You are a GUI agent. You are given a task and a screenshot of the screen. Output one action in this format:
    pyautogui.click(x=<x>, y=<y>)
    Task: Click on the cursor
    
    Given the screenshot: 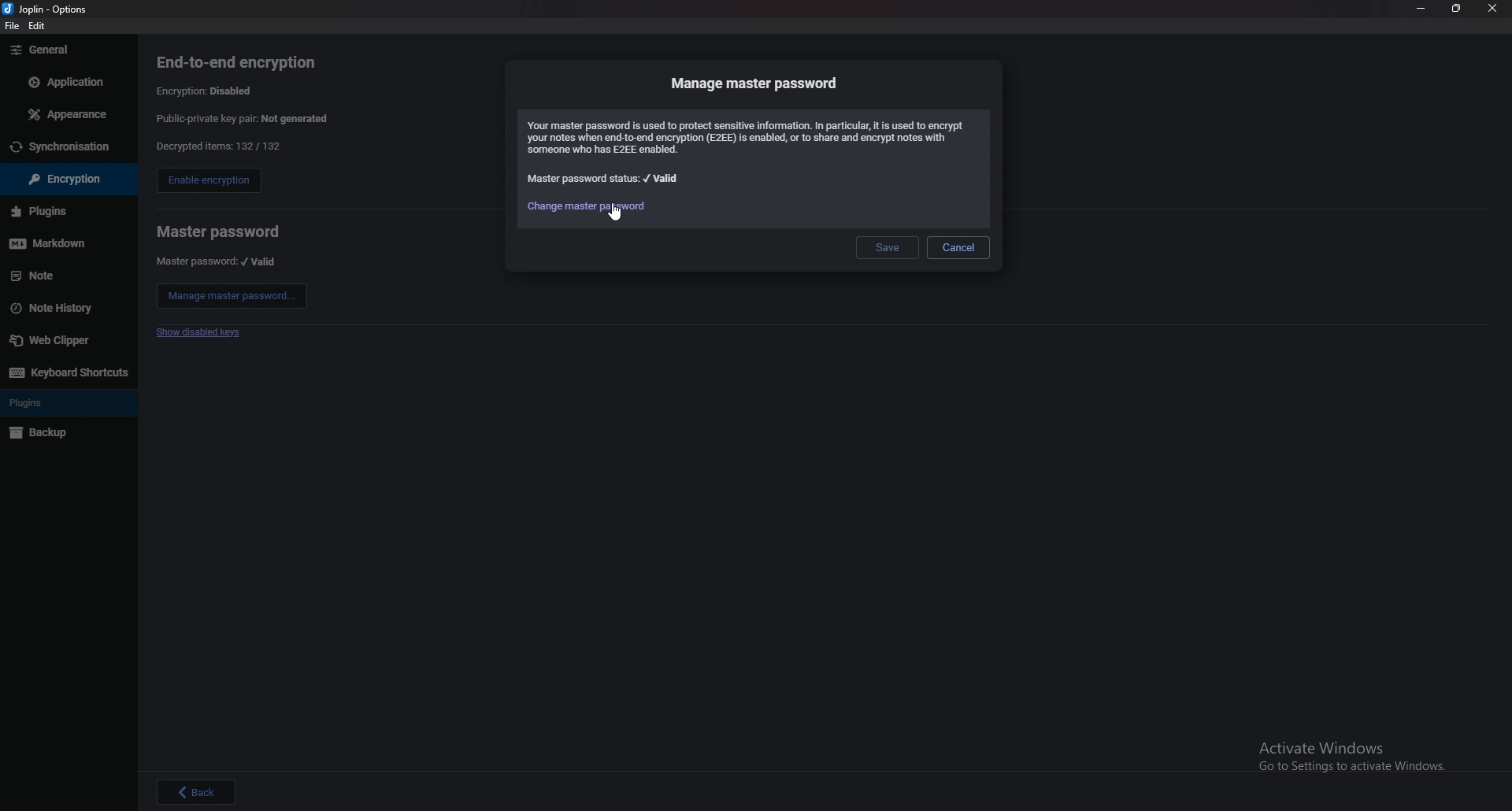 What is the action you would take?
    pyautogui.click(x=614, y=213)
    